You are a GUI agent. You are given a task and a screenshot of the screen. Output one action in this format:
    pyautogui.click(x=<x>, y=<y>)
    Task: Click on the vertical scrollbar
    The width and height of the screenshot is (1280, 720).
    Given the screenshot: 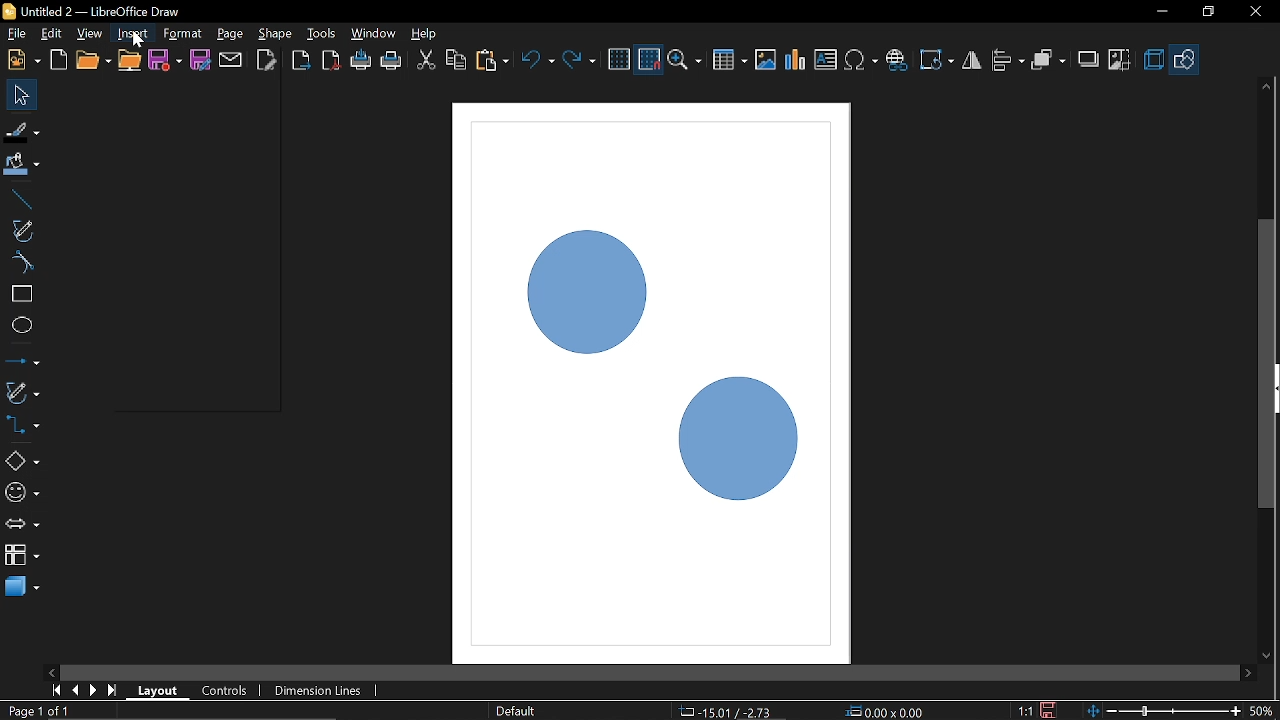 What is the action you would take?
    pyautogui.click(x=1267, y=281)
    